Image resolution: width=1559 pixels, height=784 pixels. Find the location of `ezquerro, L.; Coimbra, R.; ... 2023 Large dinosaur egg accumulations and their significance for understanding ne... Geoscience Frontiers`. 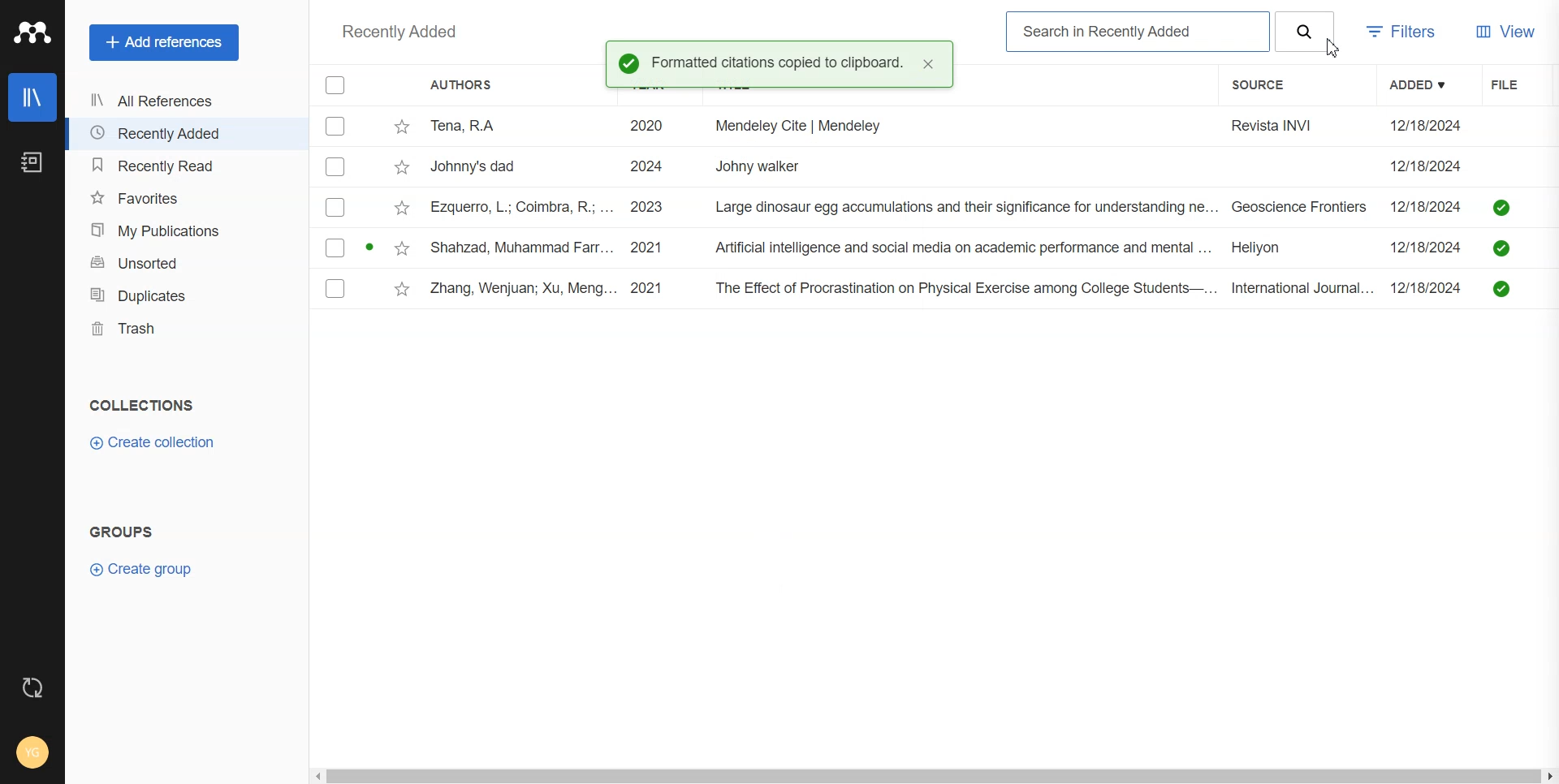

ezquerro, L.; Coimbra, R.; ... 2023 Large dinosaur egg accumulations and their significance for understanding ne... Geoscience Frontiers is located at coordinates (900, 208).